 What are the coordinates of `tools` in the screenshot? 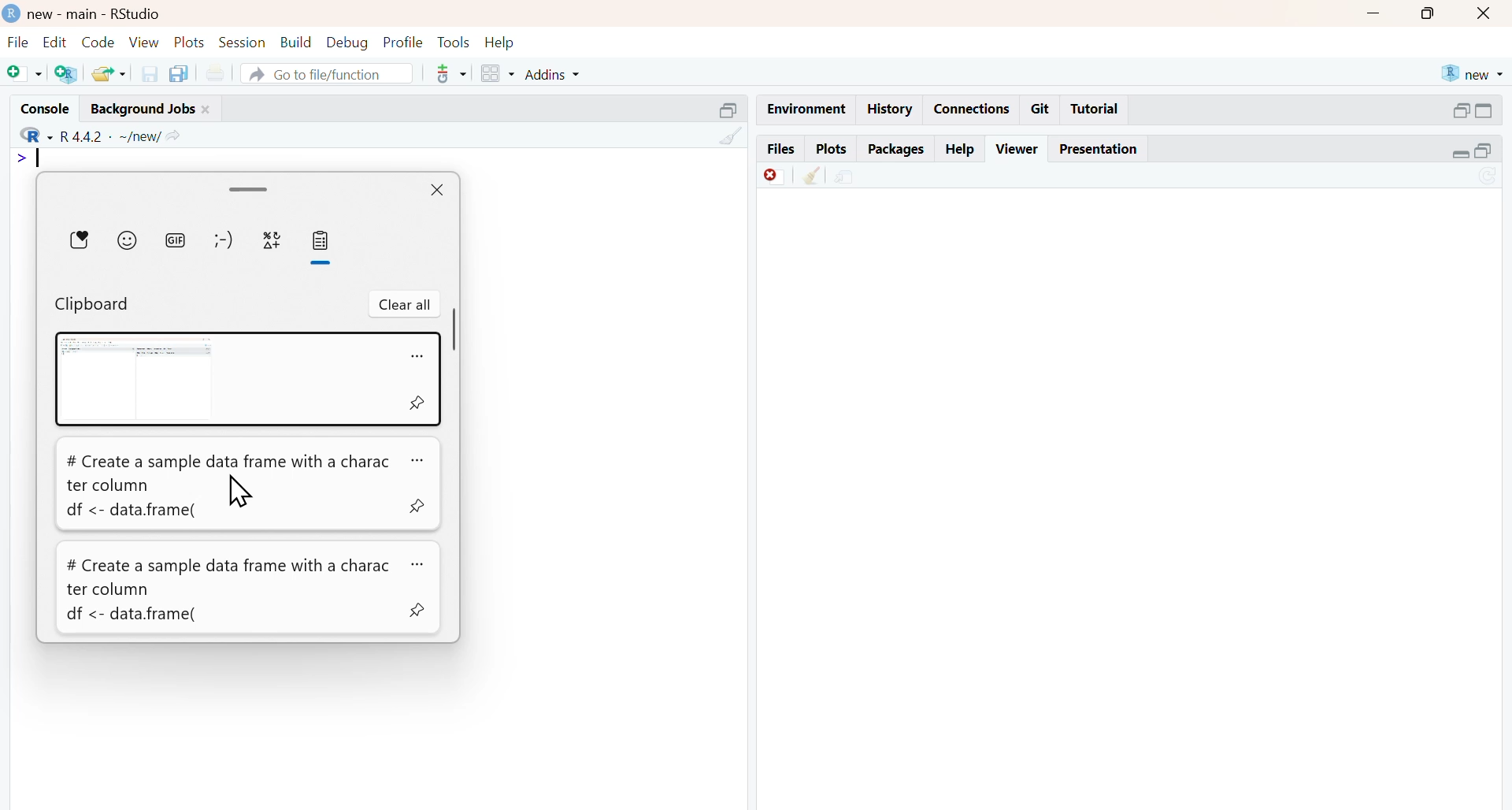 It's located at (457, 43).